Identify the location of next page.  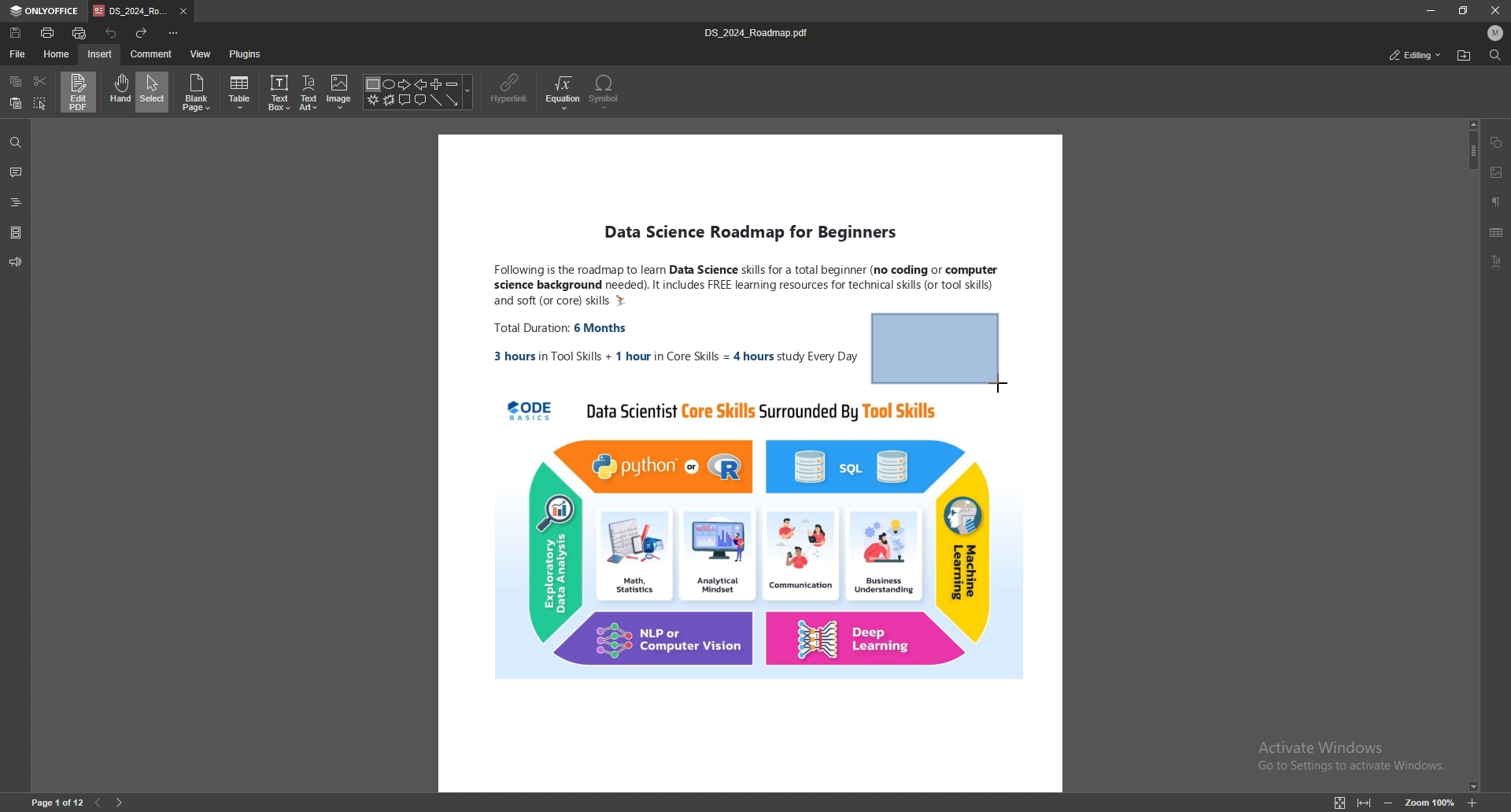
(124, 800).